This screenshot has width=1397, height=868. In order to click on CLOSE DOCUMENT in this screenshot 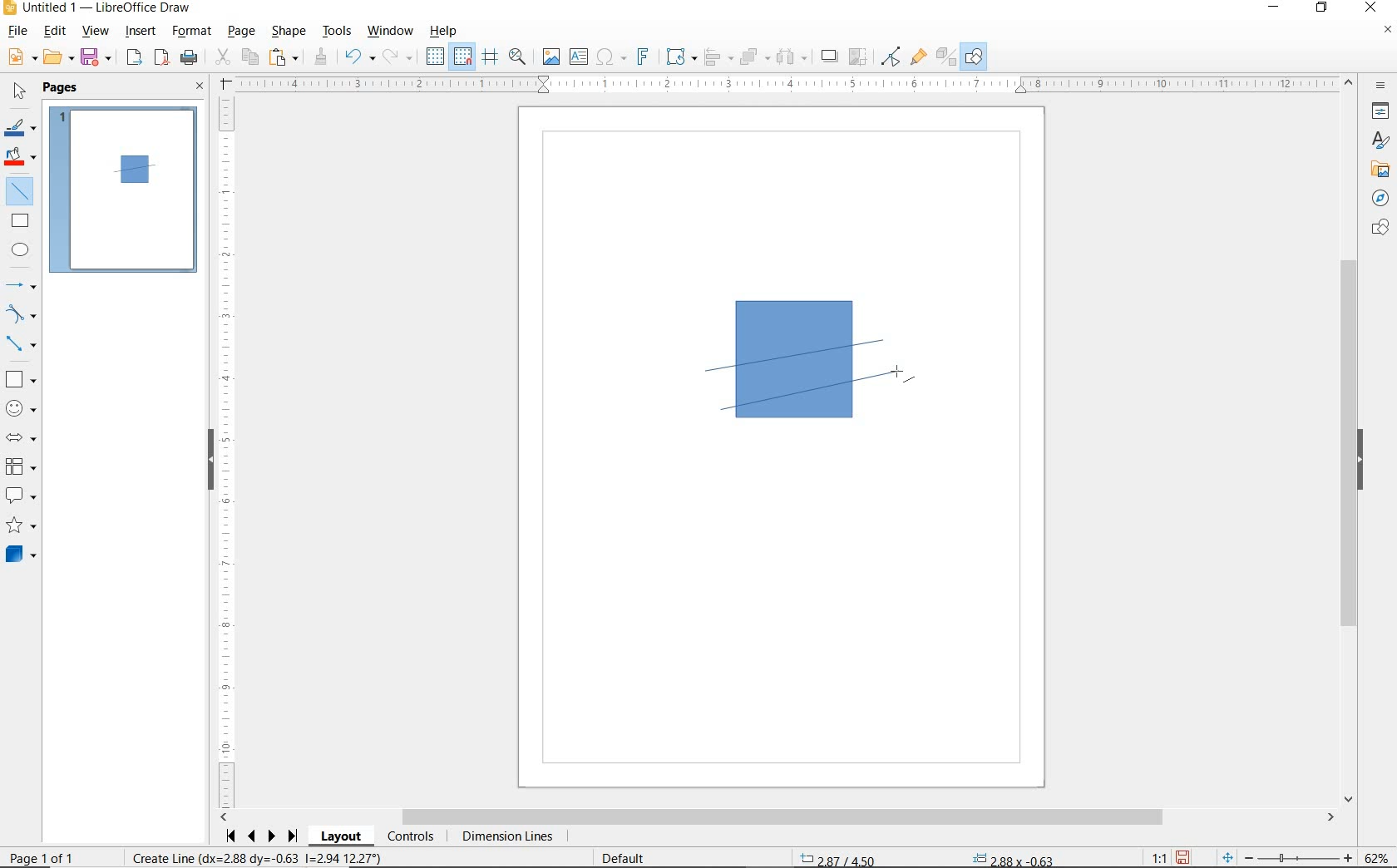, I will do `click(1387, 31)`.